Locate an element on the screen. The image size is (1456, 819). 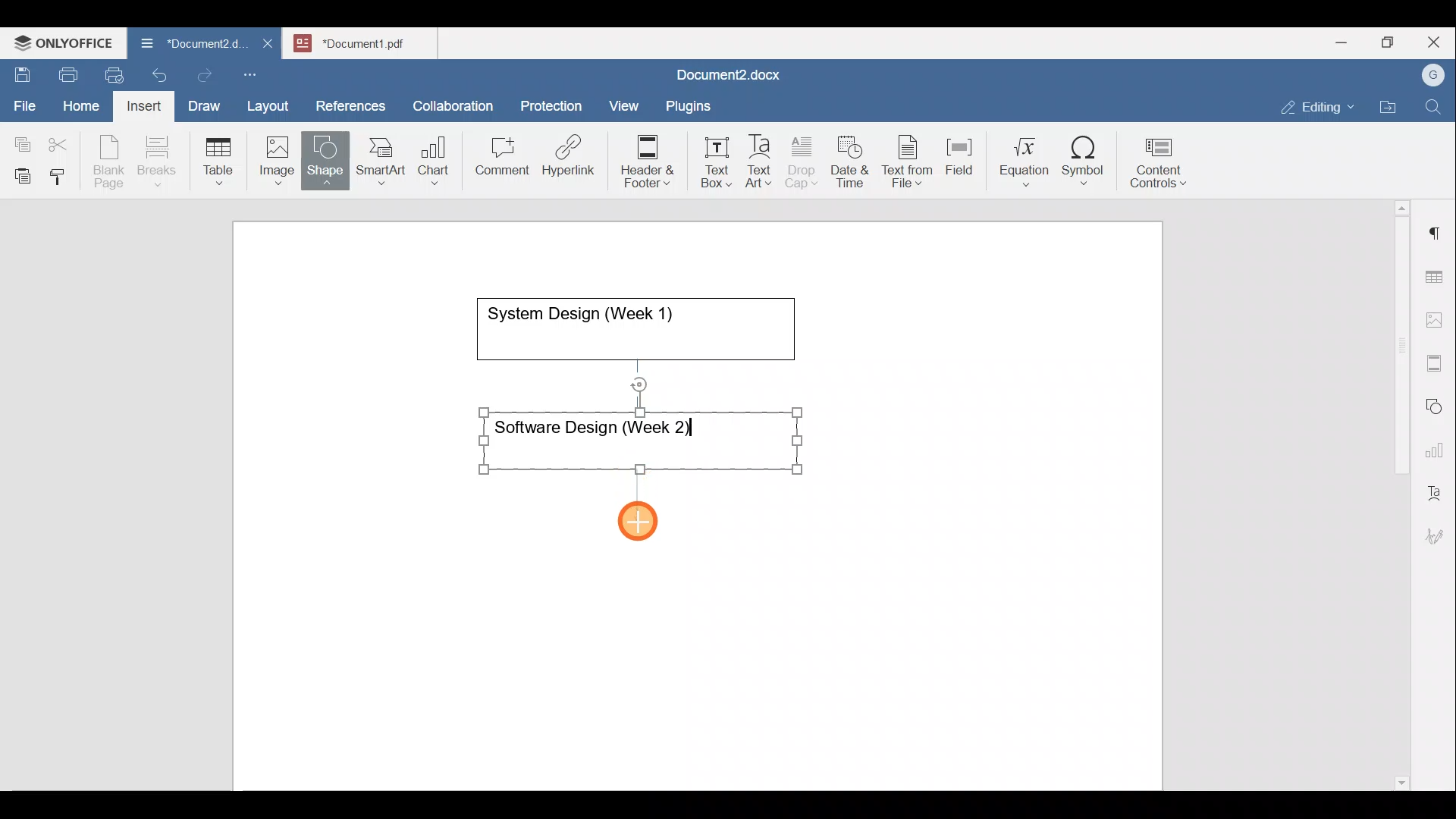
Plugins is located at coordinates (693, 104).